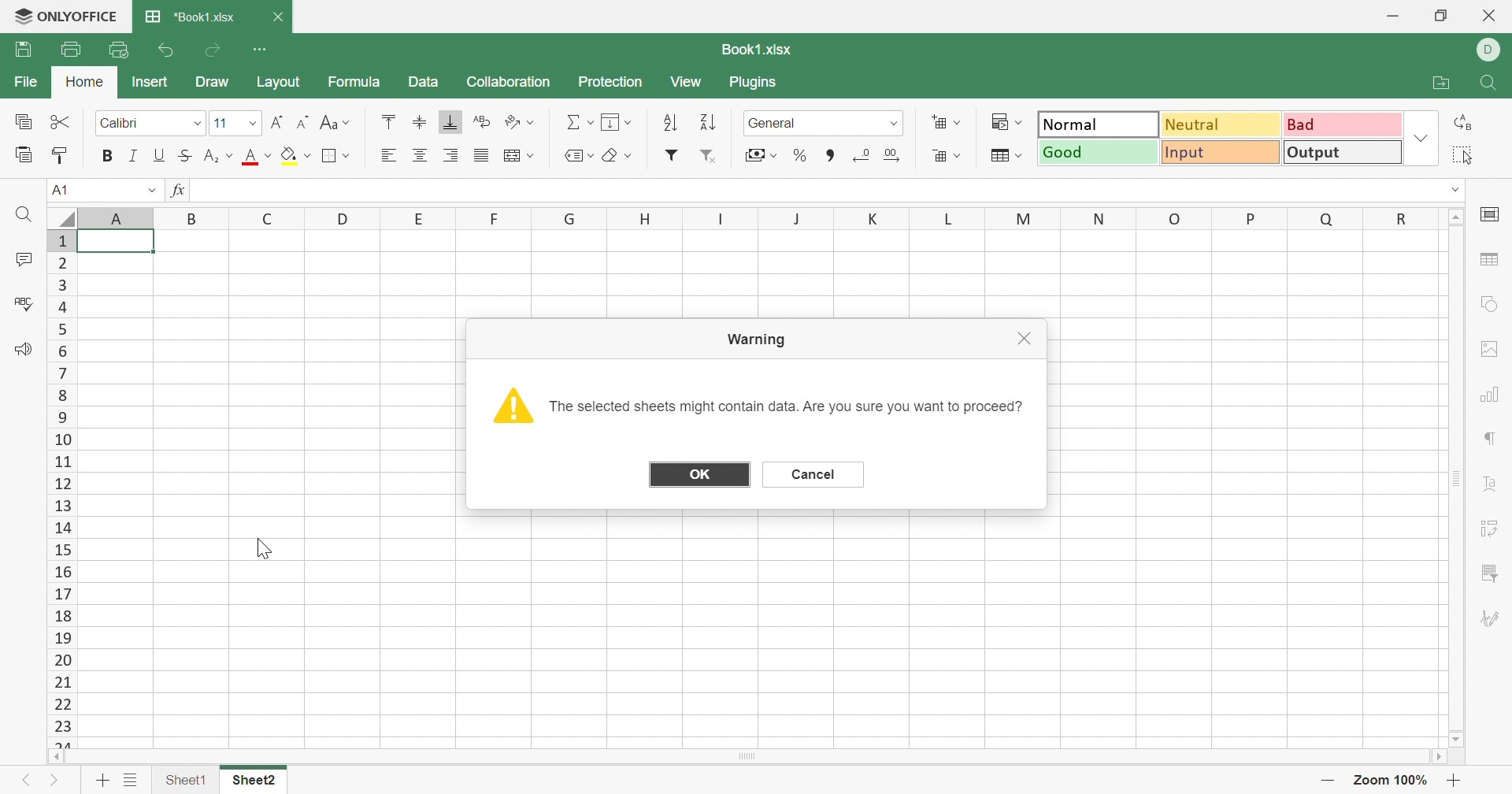 The height and width of the screenshot is (794, 1512). I want to click on table settings, so click(1493, 262).